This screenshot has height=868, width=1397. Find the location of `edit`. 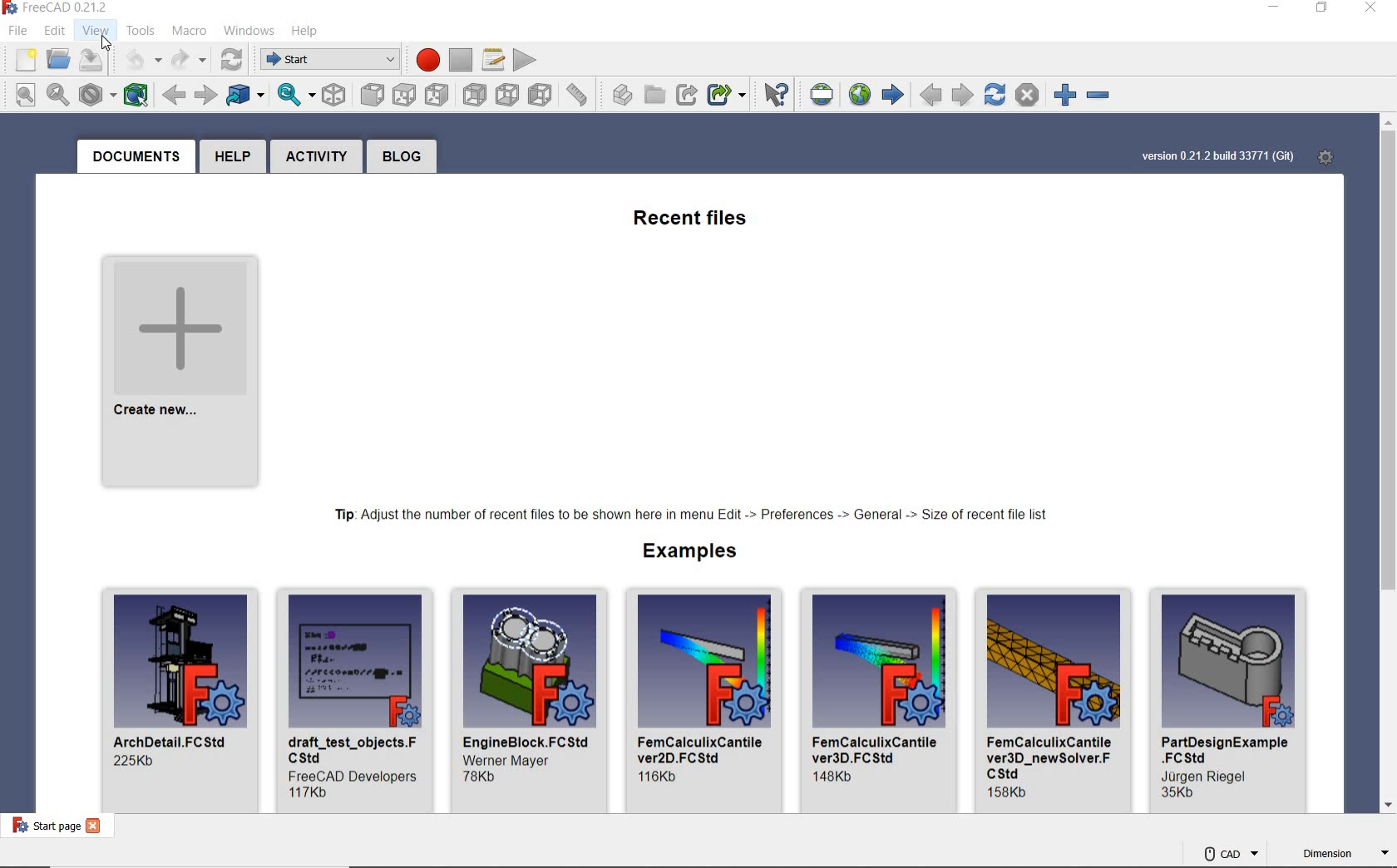

edit is located at coordinates (56, 32).